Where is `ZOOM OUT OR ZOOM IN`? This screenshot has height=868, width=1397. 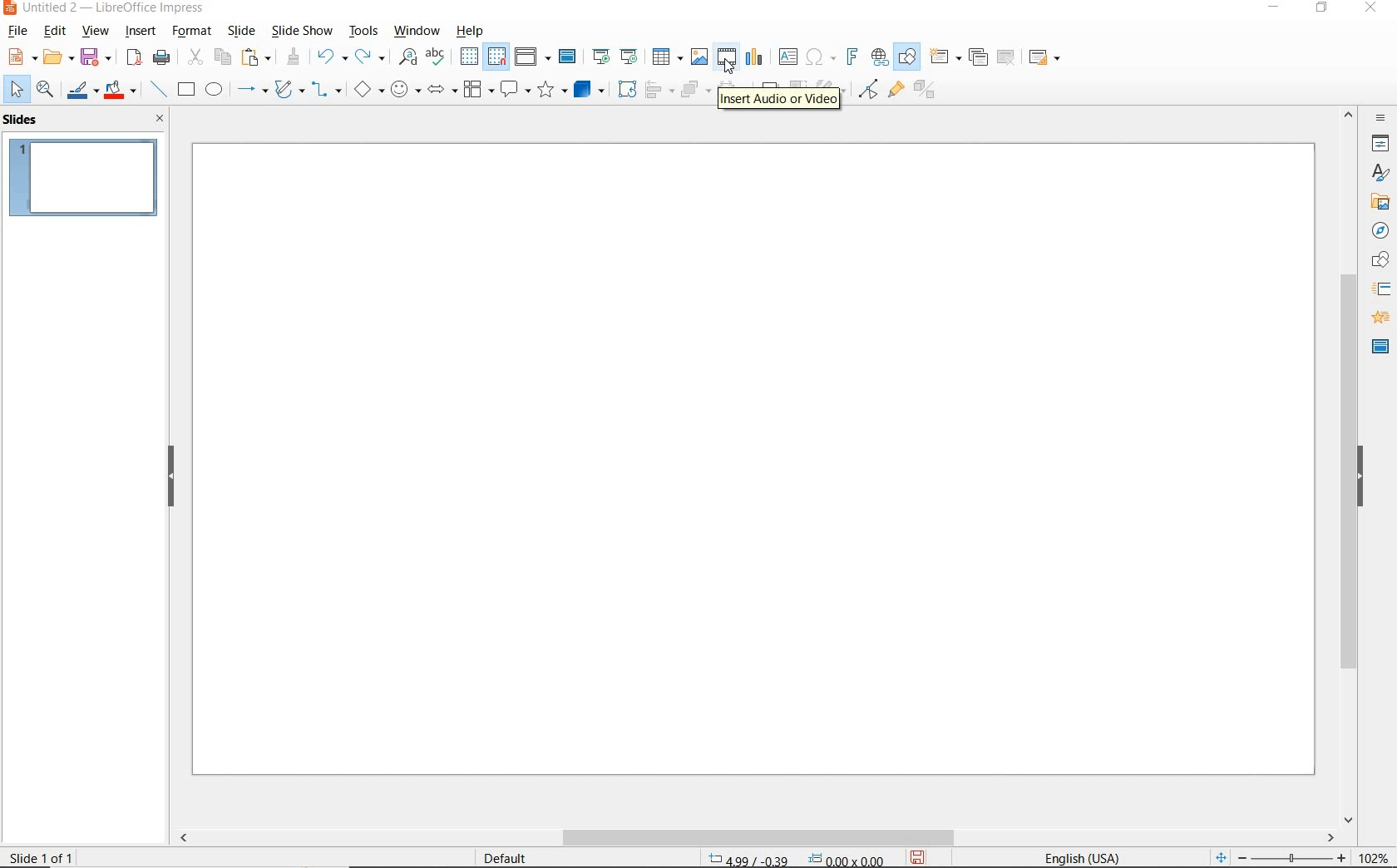
ZOOM OUT OR ZOOM IN is located at coordinates (1278, 856).